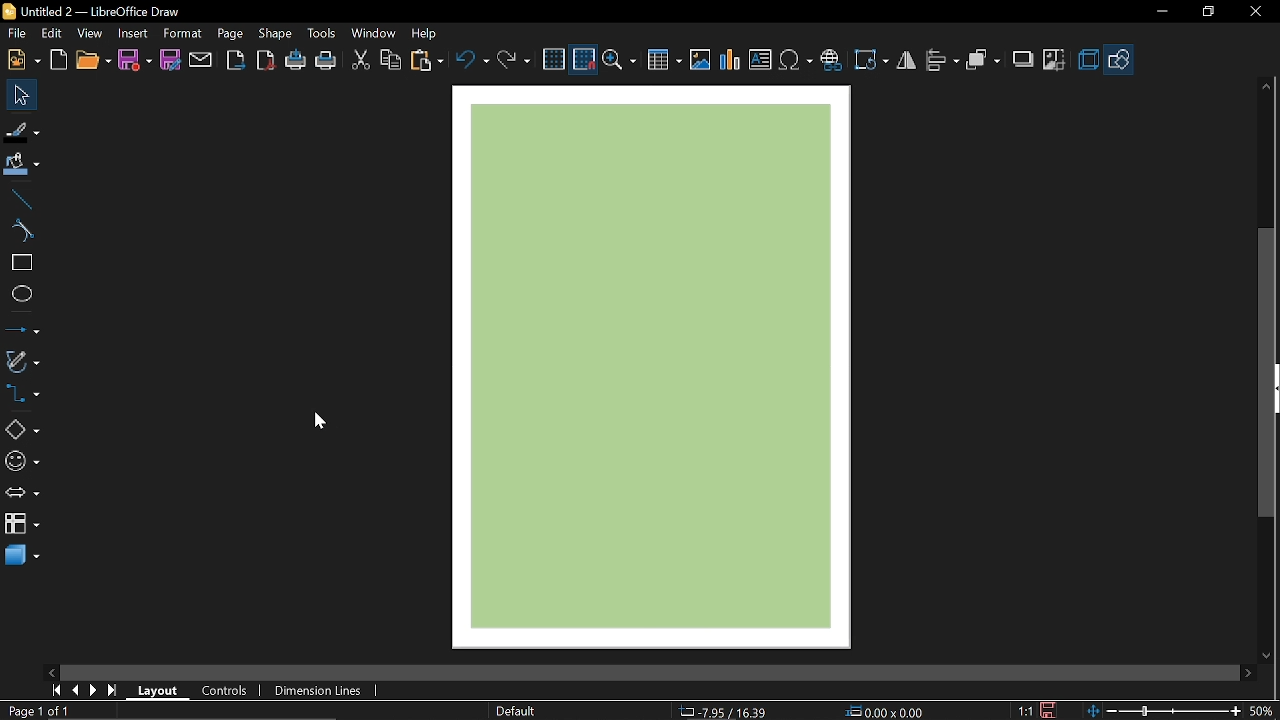  What do you see at coordinates (296, 62) in the screenshot?
I see `Print directly` at bounding box center [296, 62].